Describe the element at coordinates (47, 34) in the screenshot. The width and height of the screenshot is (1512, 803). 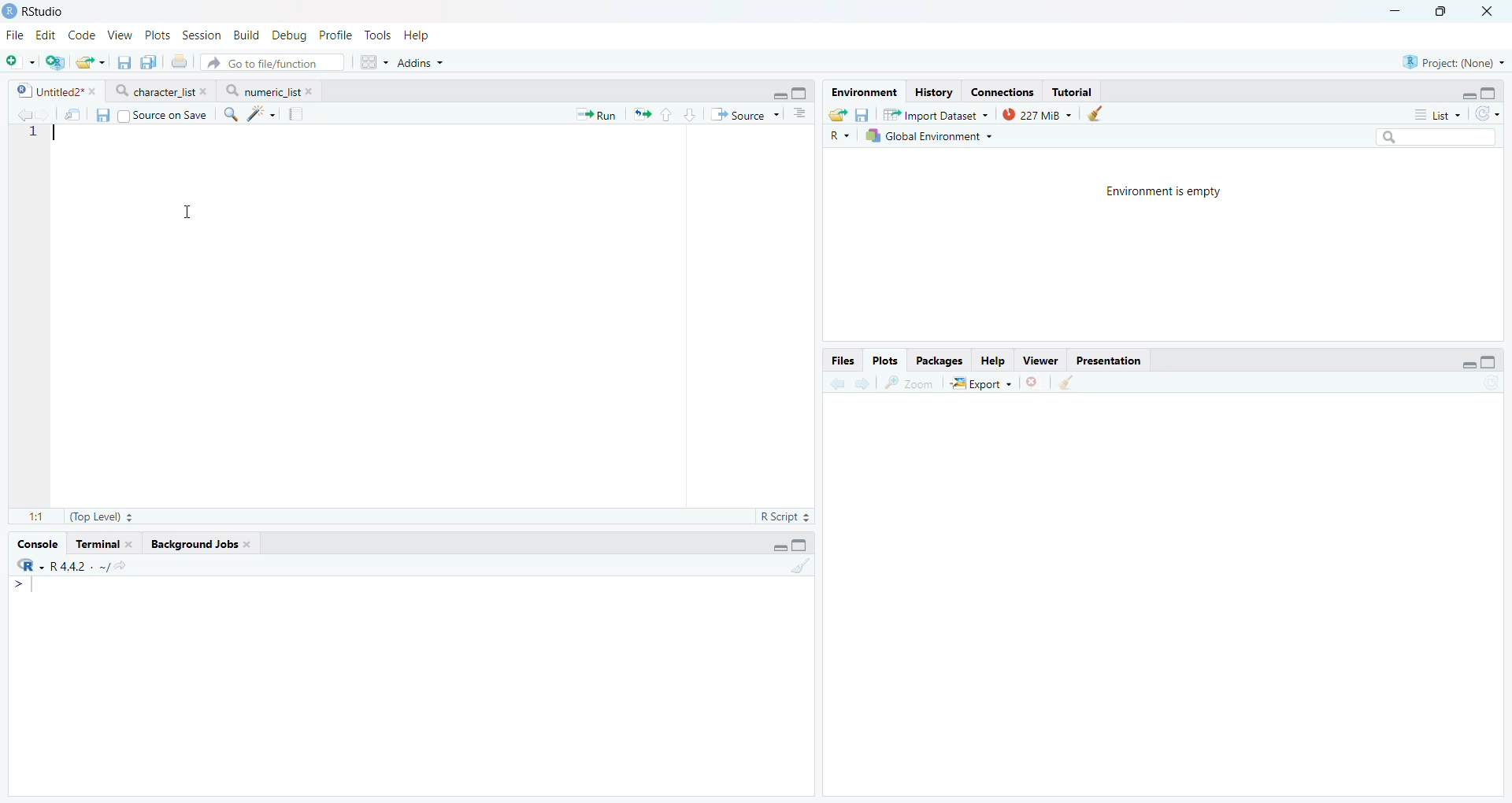
I see `Edit` at that location.